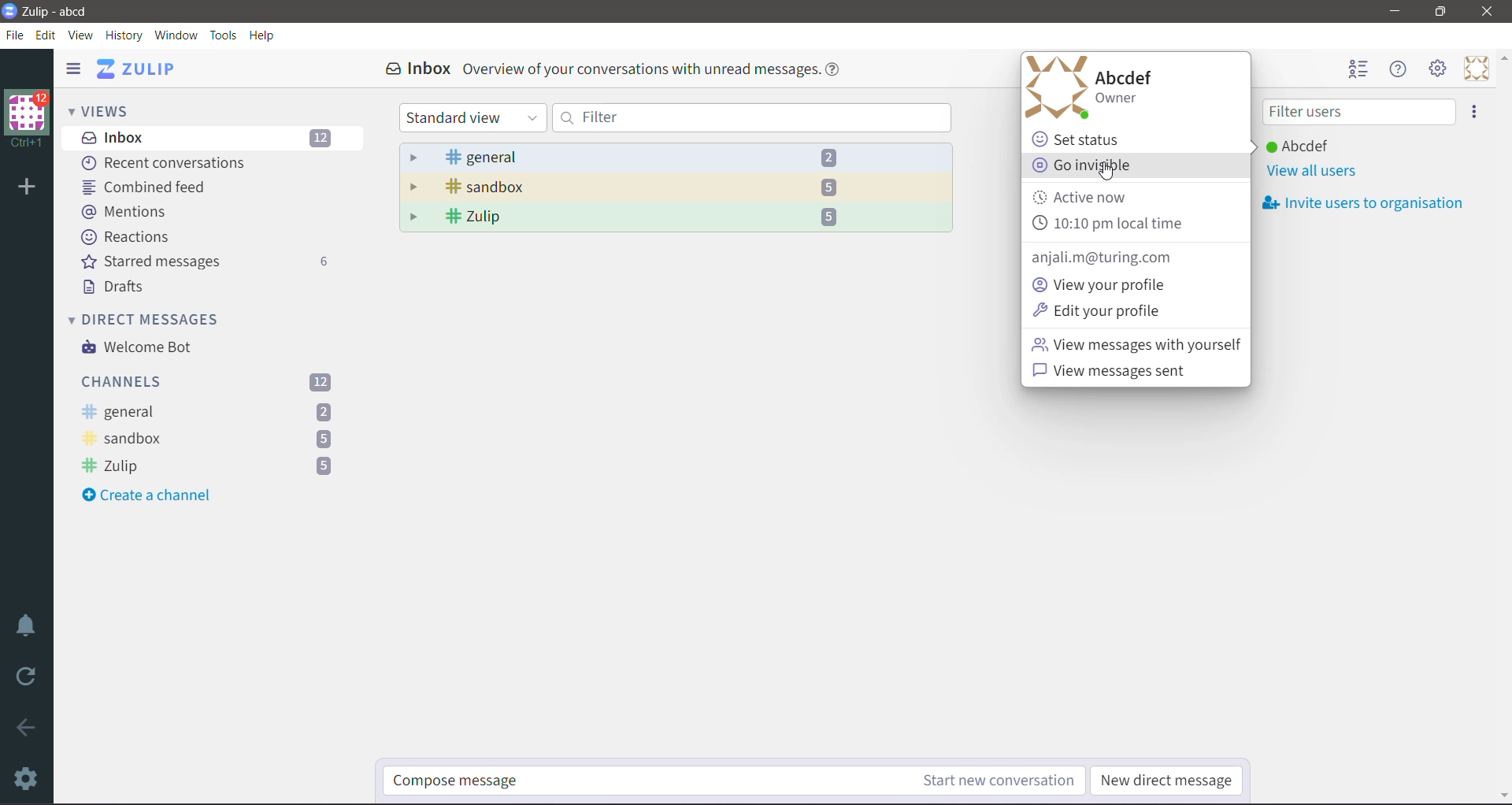  I want to click on Welcome Bot, so click(136, 348).